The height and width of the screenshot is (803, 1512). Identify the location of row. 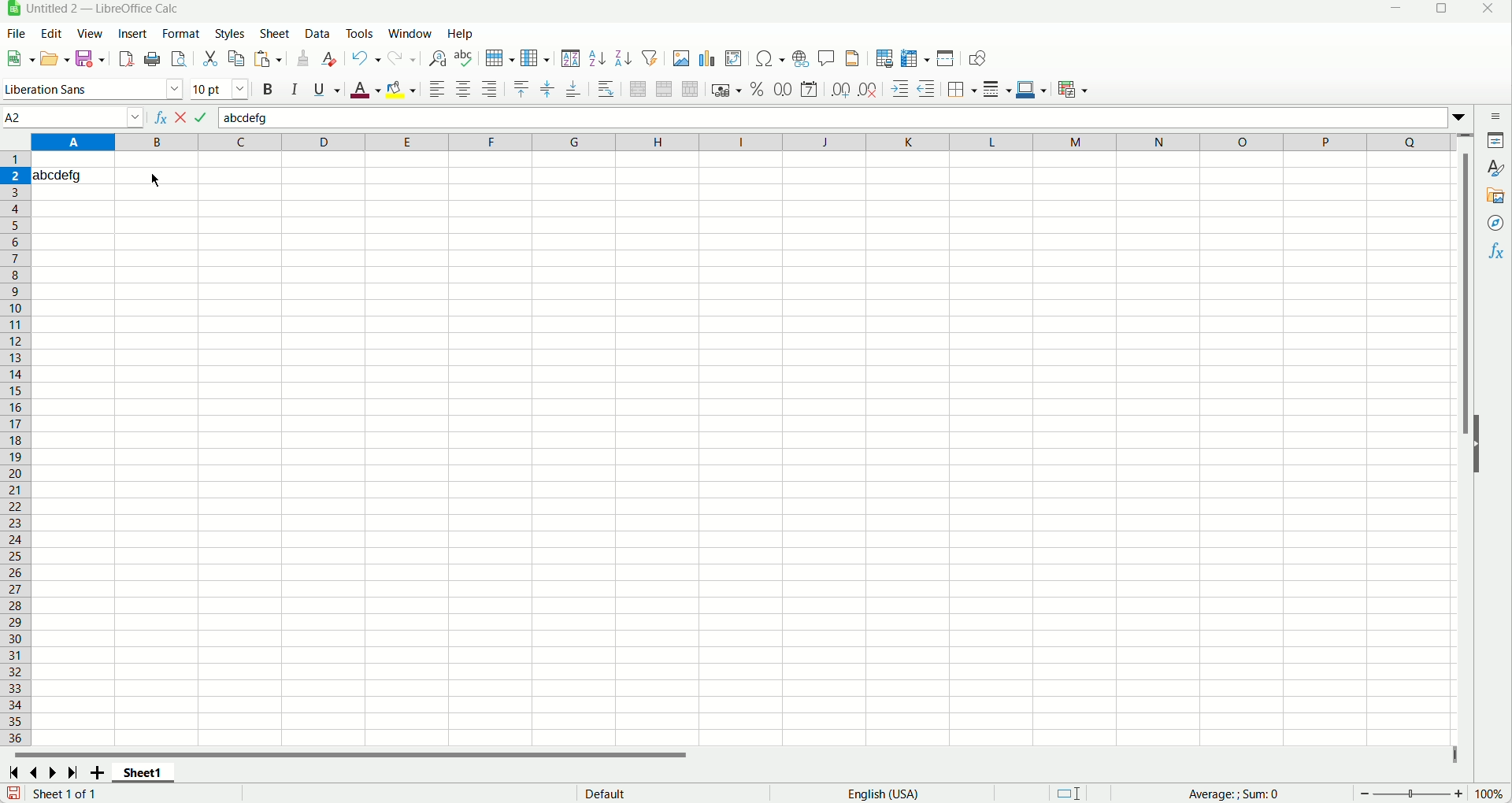
(500, 59).